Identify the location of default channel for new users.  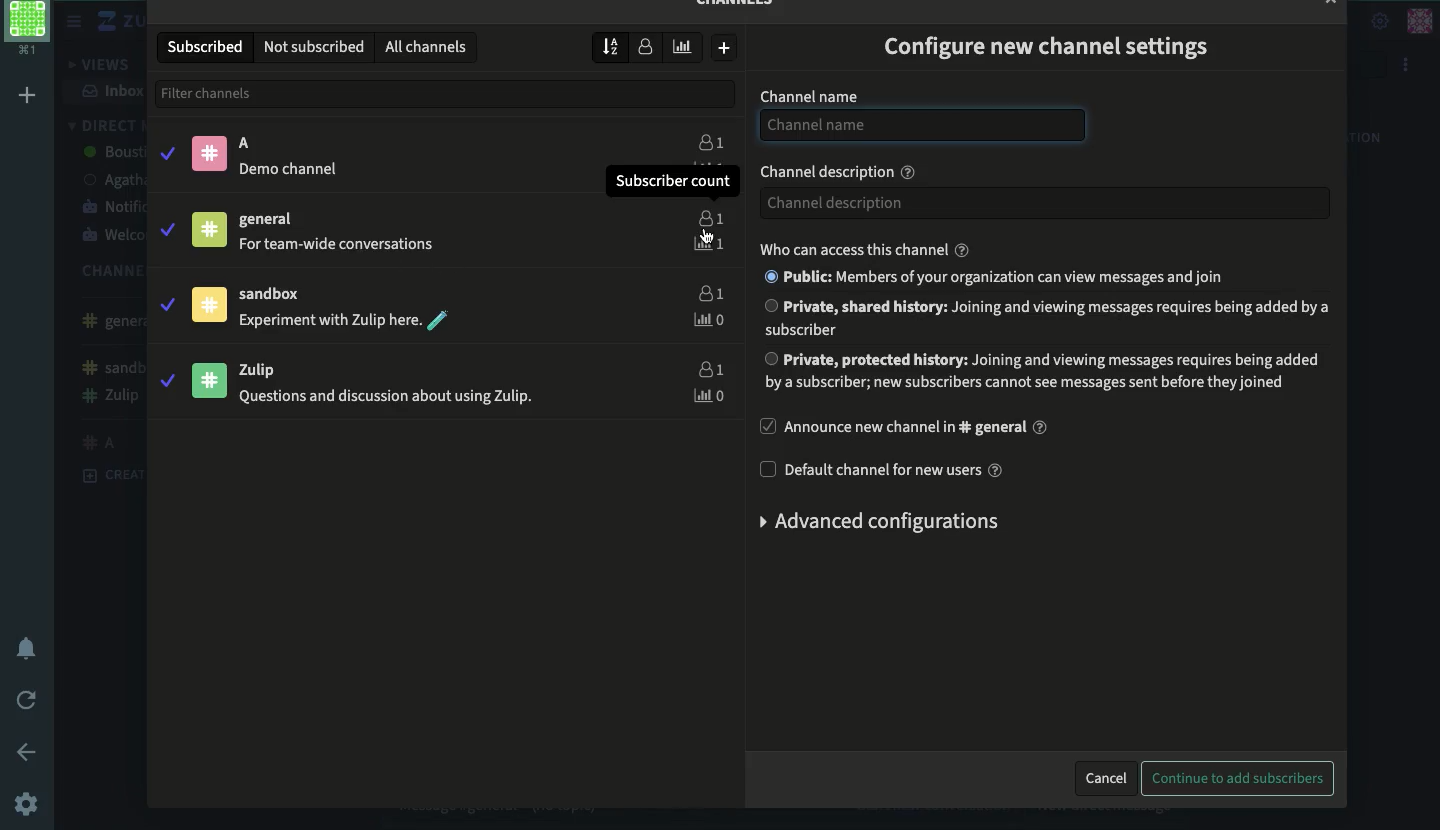
(886, 469).